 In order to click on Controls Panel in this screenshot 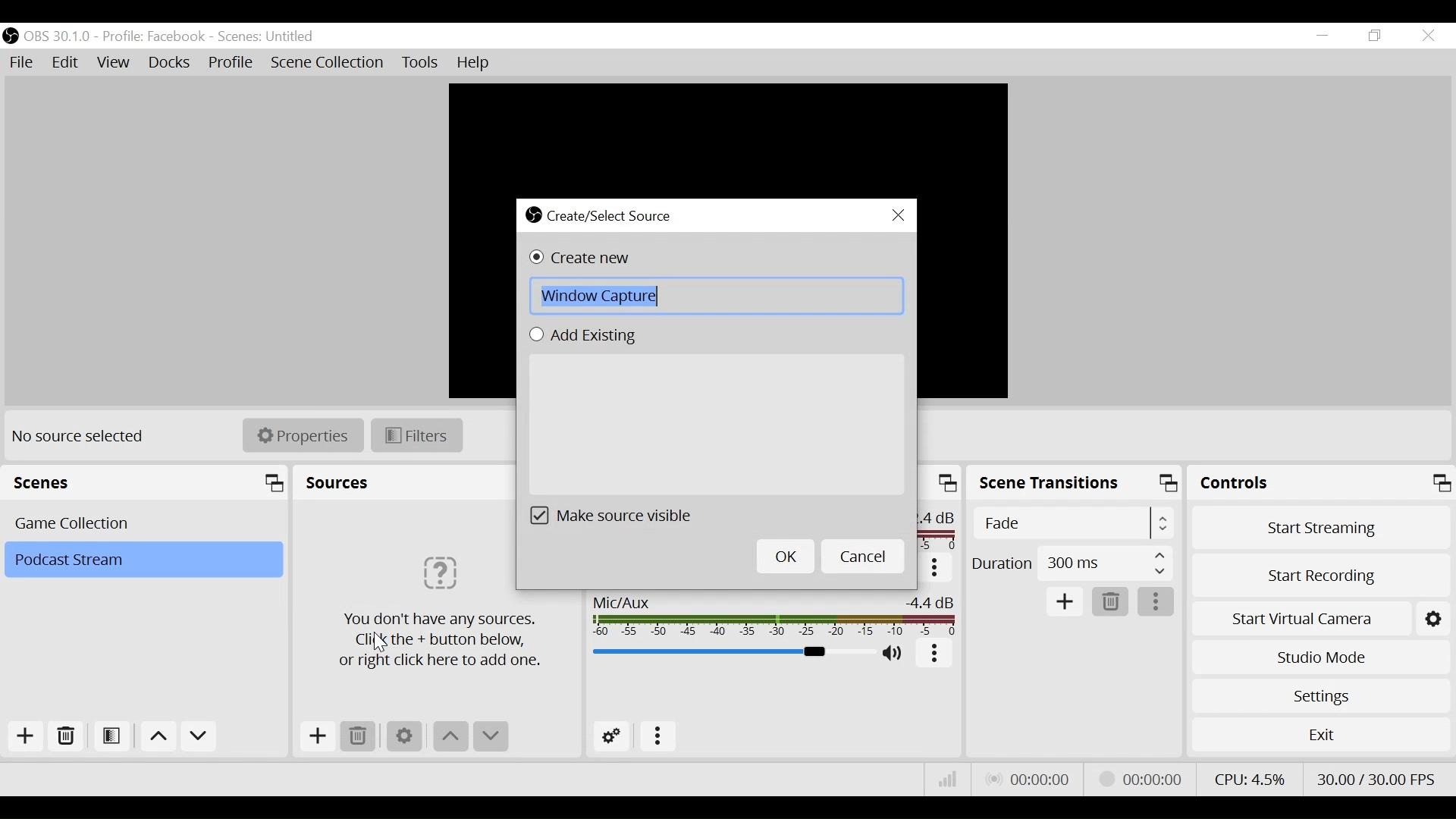, I will do `click(1321, 483)`.